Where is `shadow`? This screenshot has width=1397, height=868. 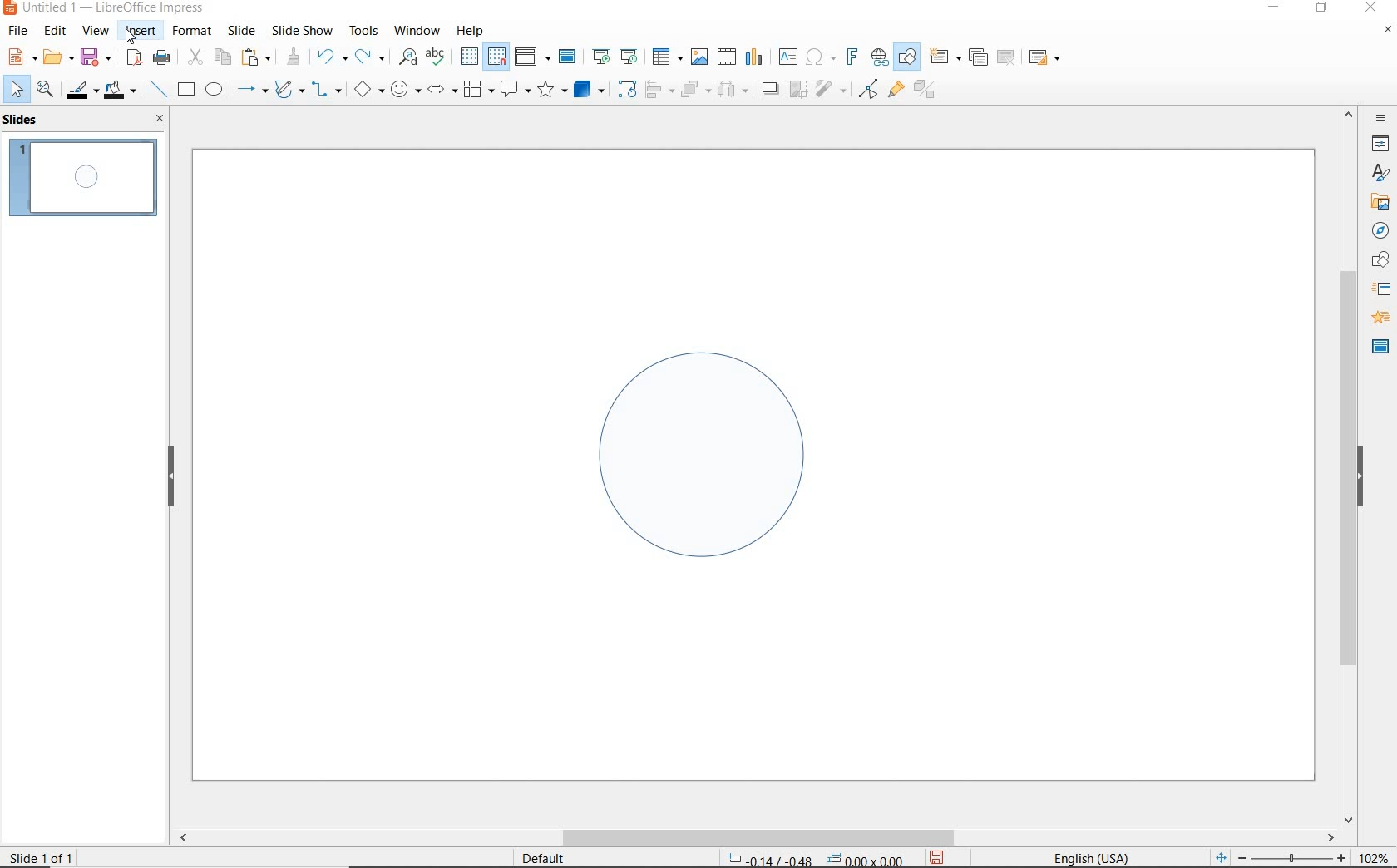 shadow is located at coordinates (769, 87).